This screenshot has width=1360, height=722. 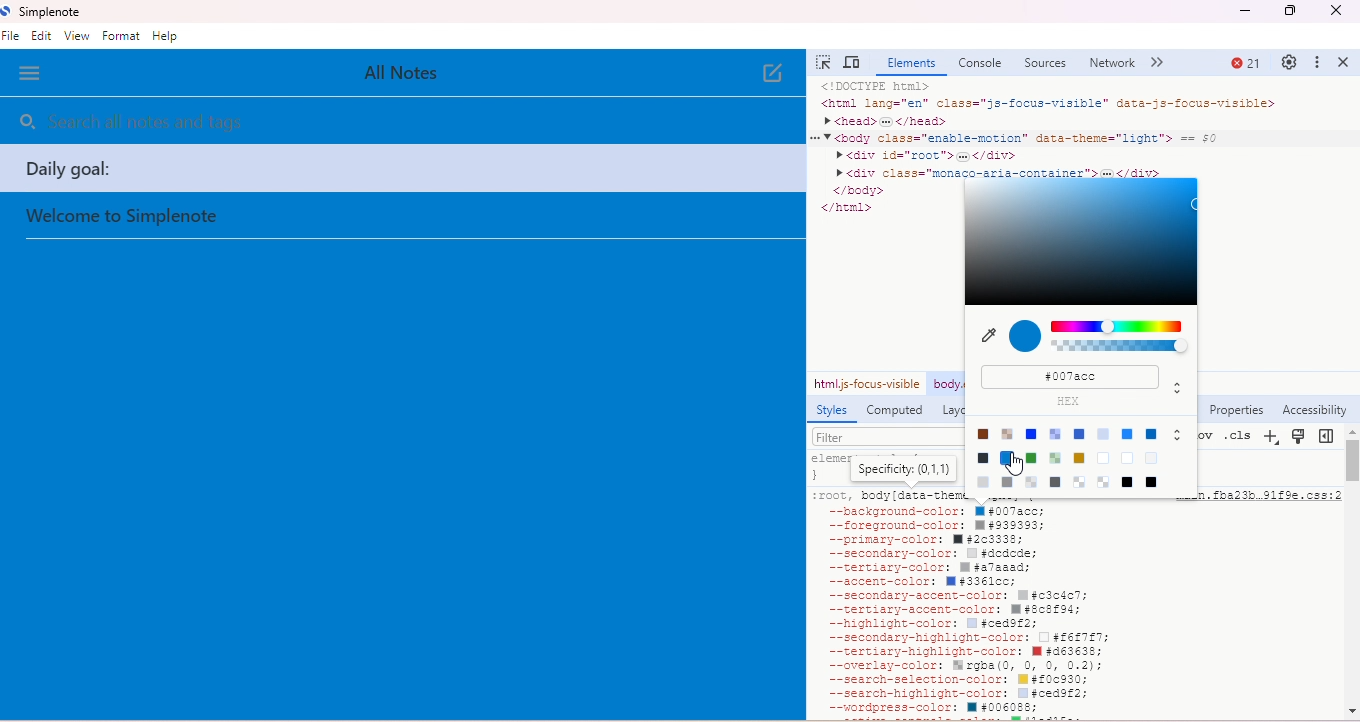 I want to click on layout, so click(x=953, y=411).